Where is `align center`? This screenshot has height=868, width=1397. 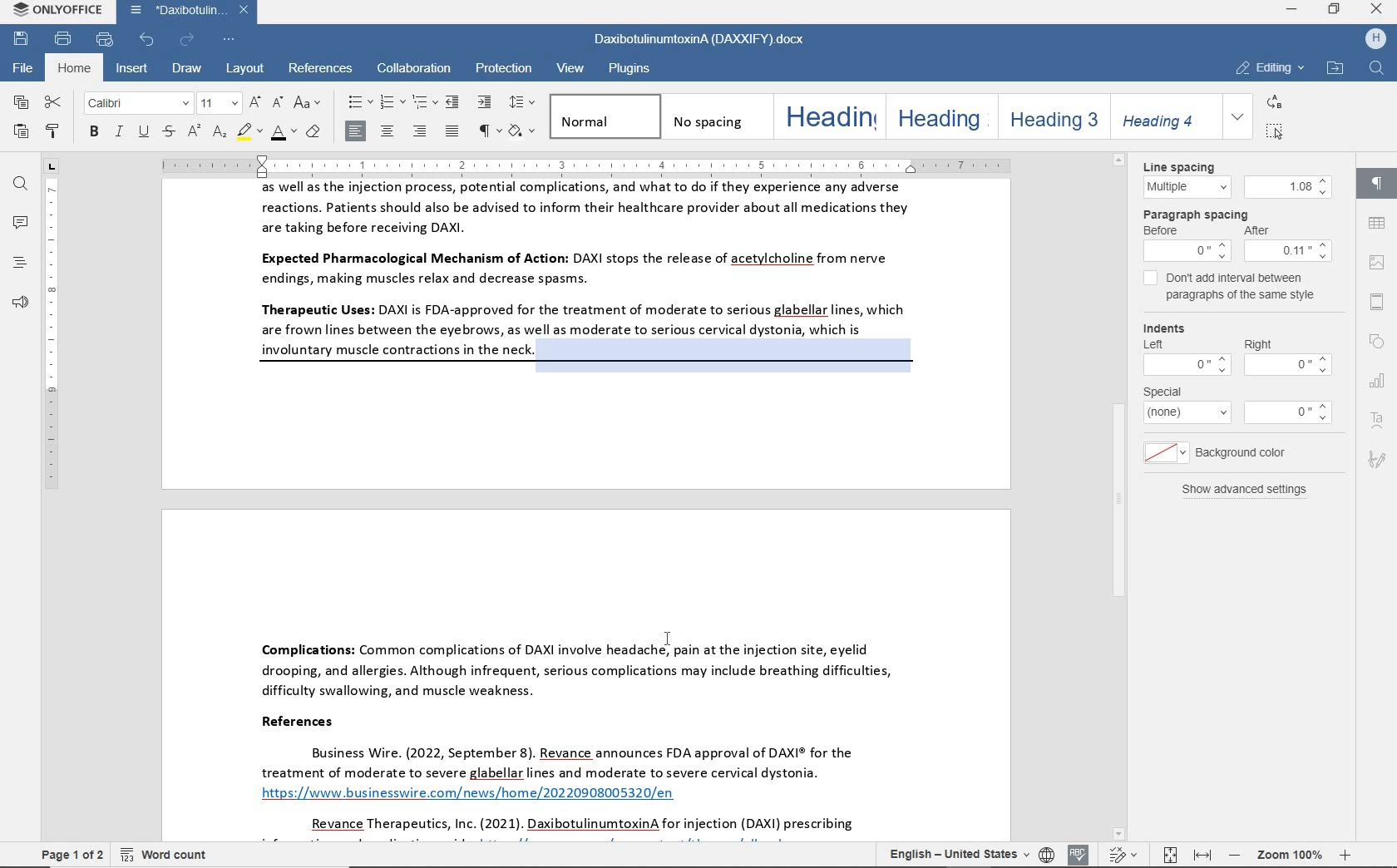
align center is located at coordinates (388, 131).